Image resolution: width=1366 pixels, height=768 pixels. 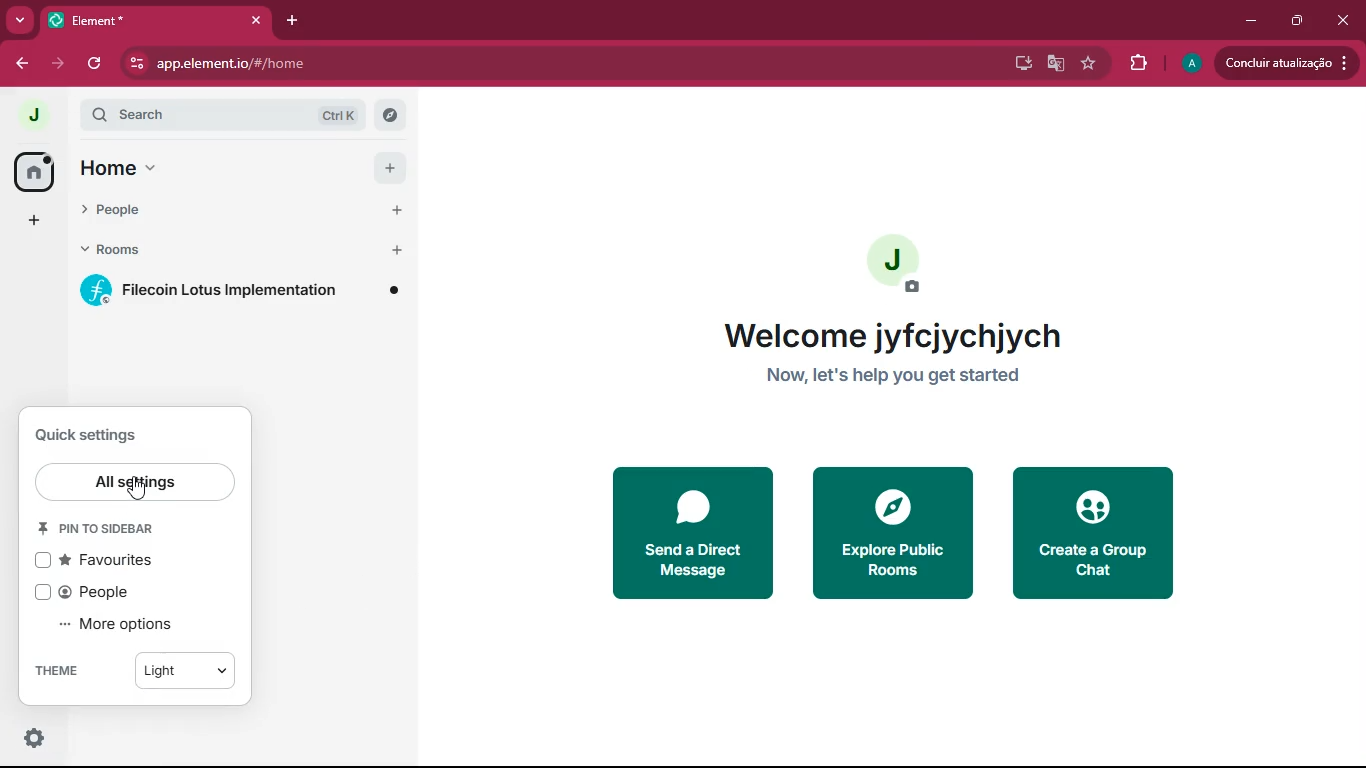 I want to click on add, so click(x=30, y=222).